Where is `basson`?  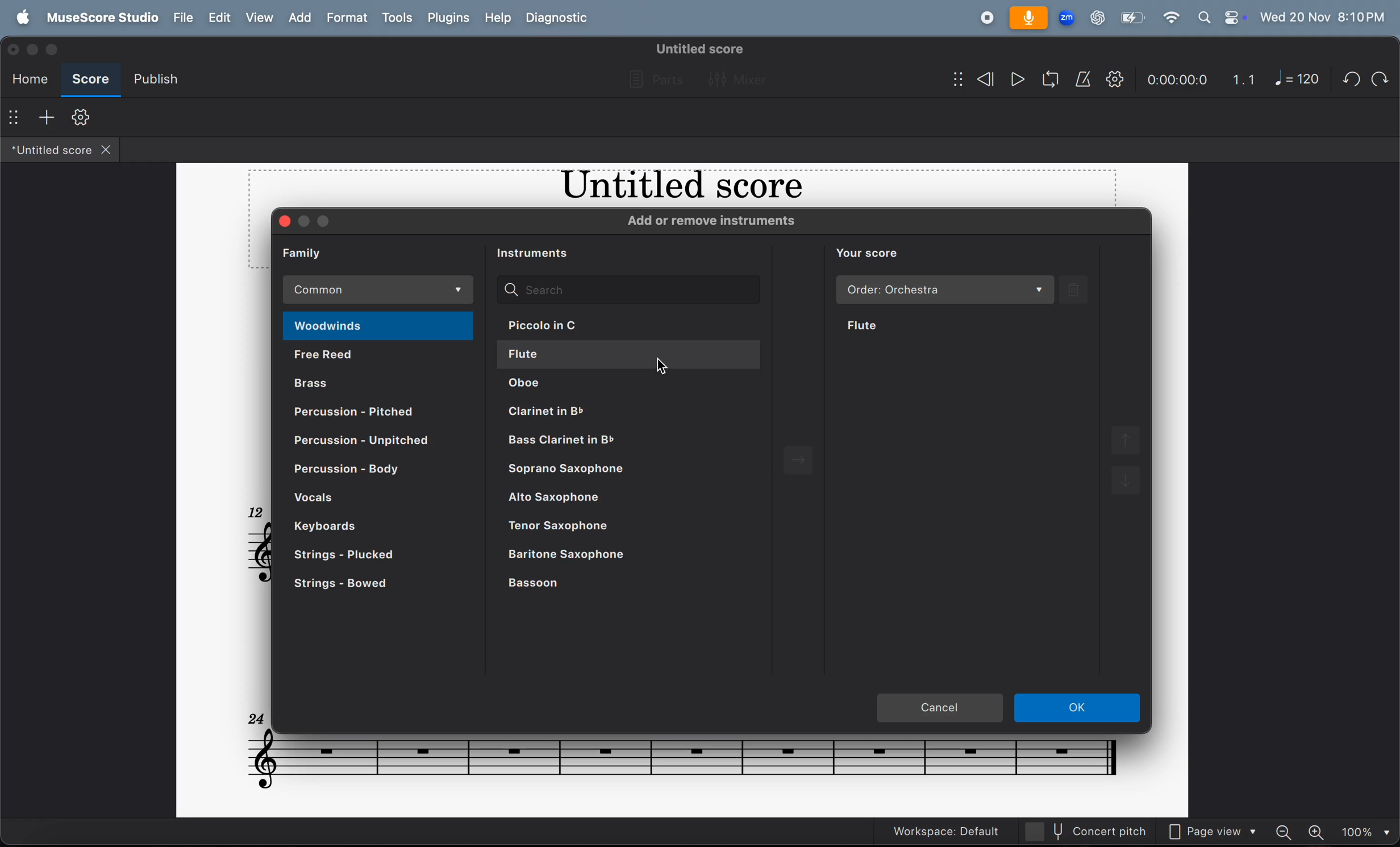 basson is located at coordinates (622, 584).